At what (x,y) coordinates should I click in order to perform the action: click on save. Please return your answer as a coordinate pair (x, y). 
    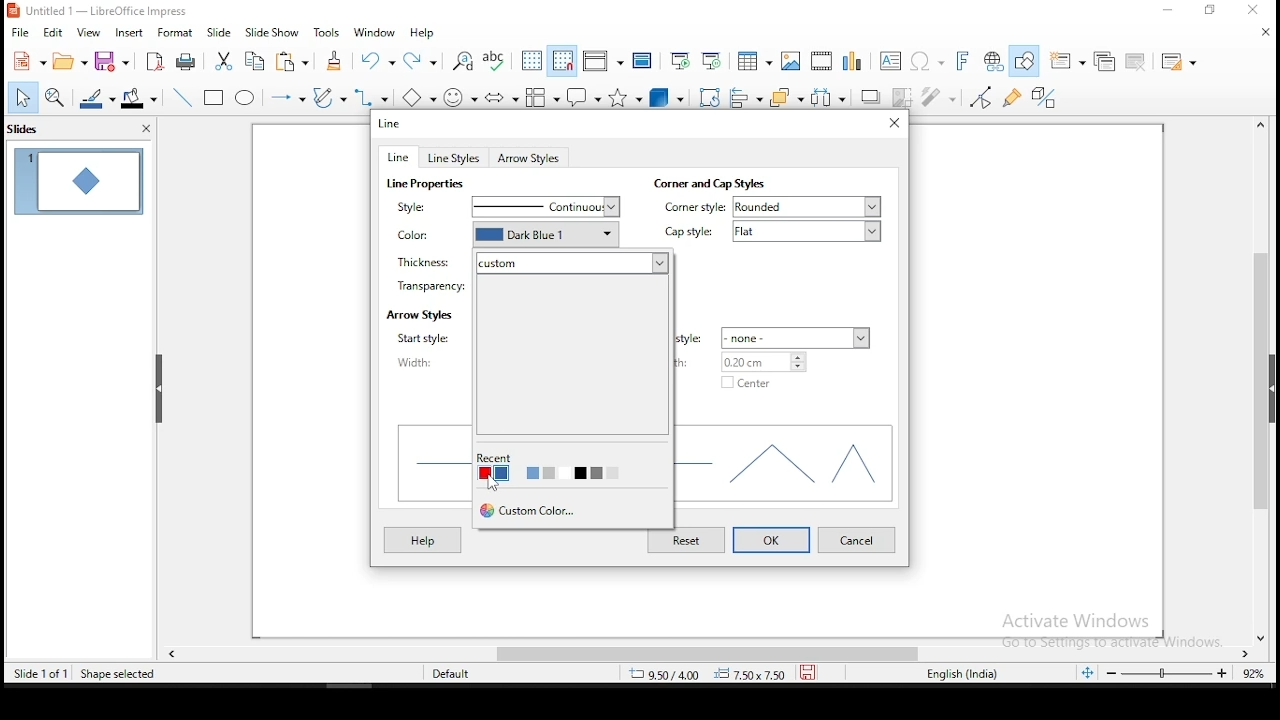
    Looking at the image, I should click on (114, 61).